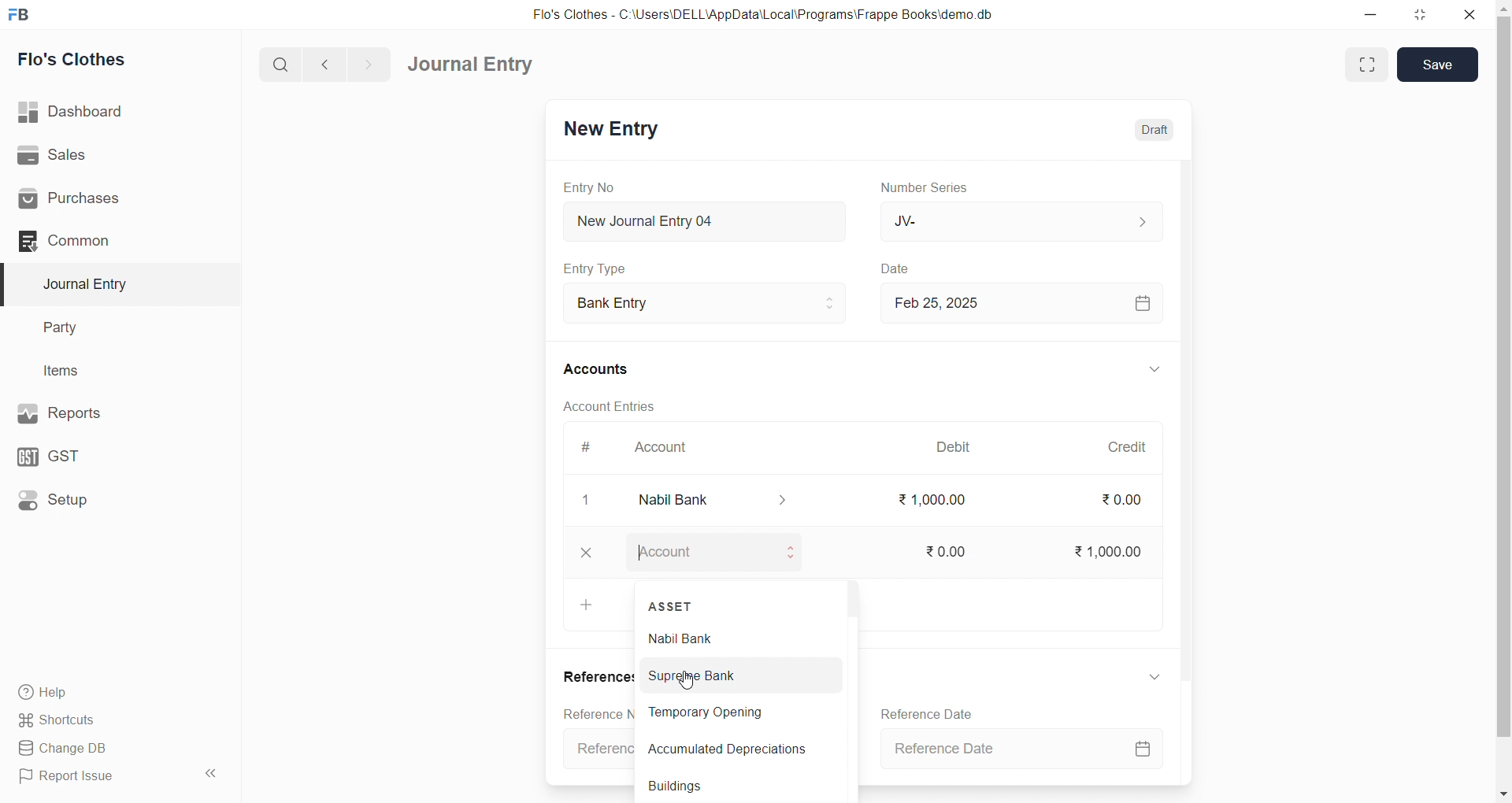  I want to click on Expand Window, so click(1365, 65).